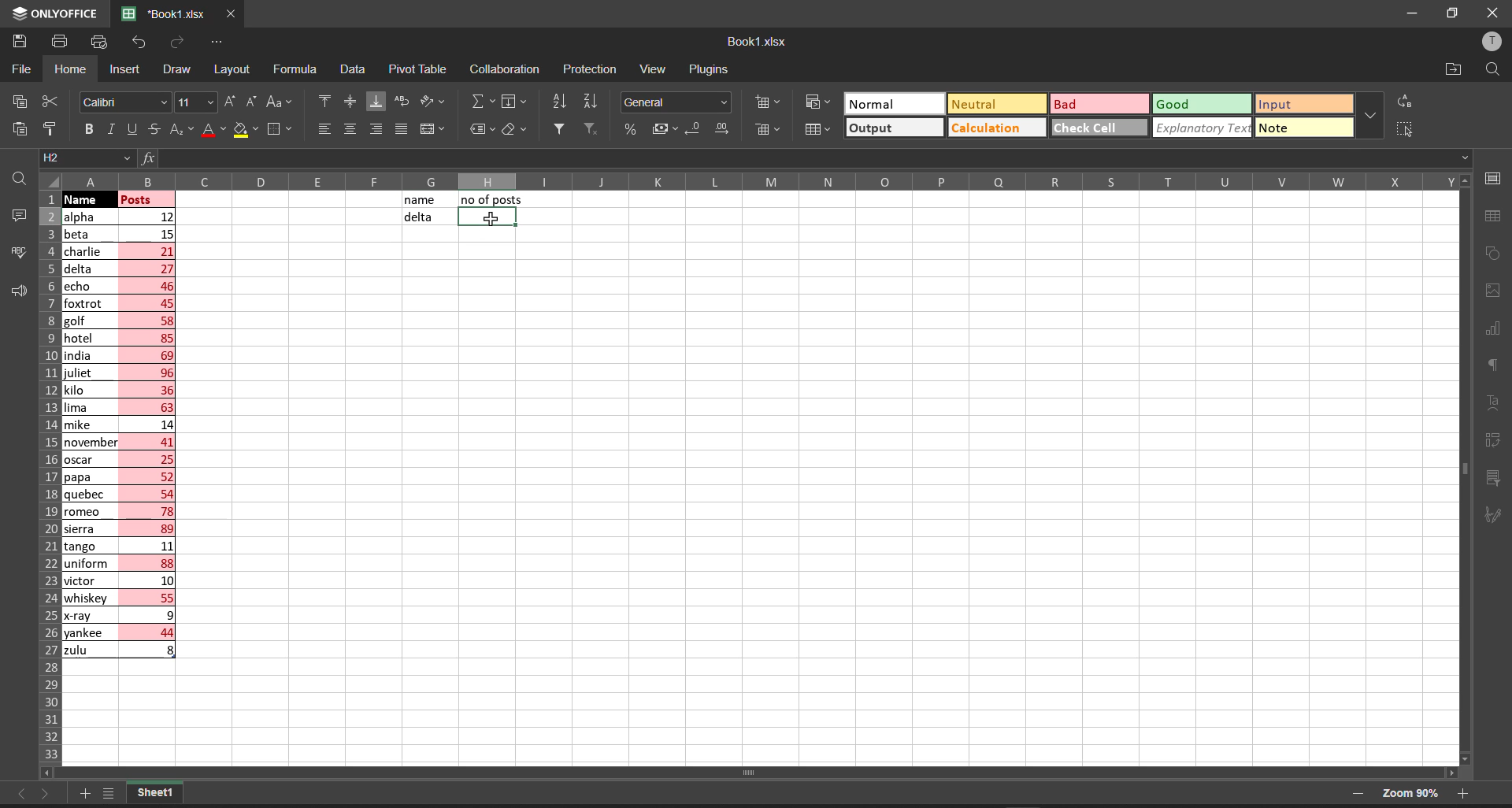 This screenshot has width=1512, height=808. Describe the element at coordinates (98, 40) in the screenshot. I see `quick print` at that location.